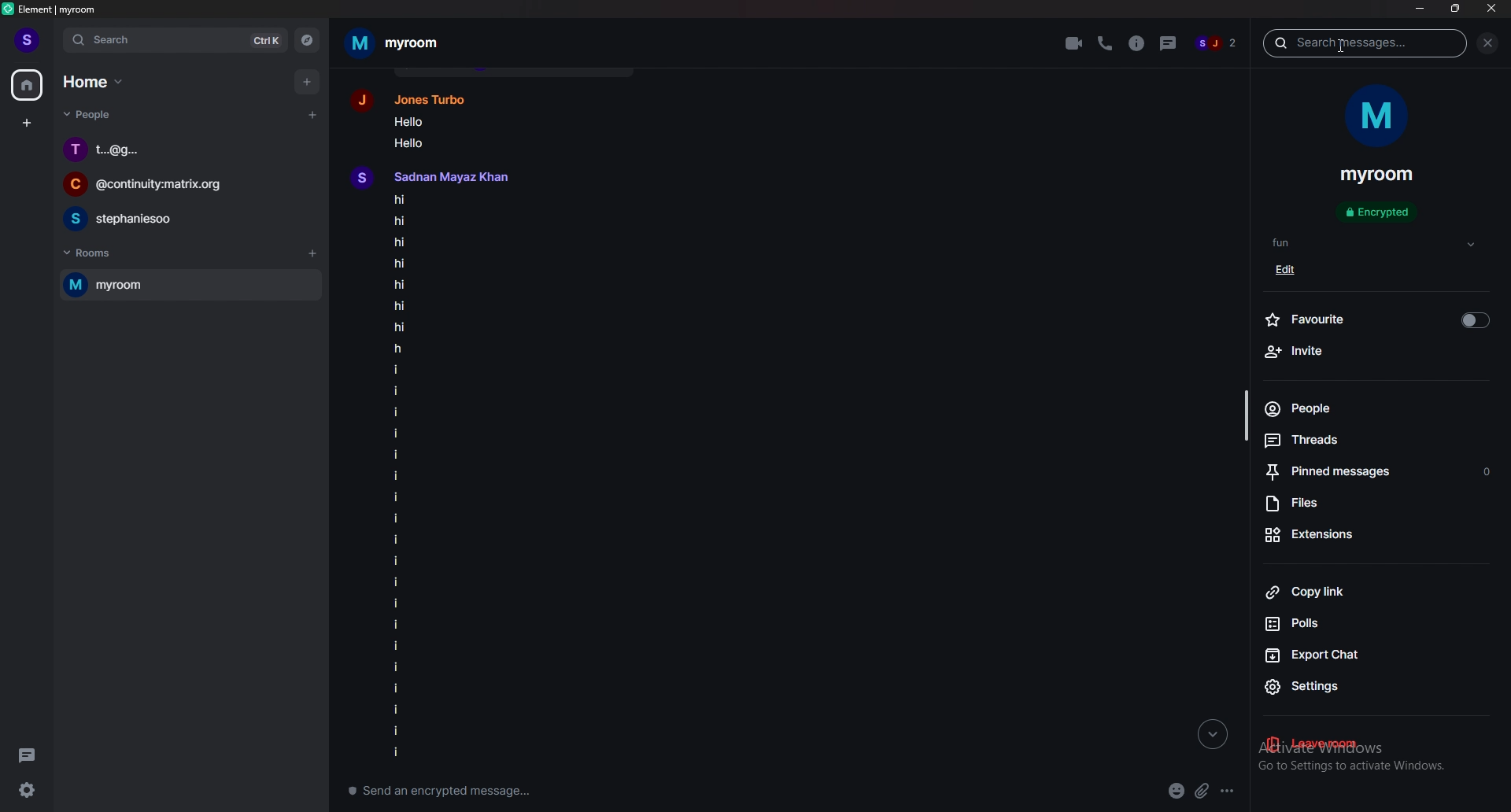 The image size is (1511, 812). Describe the element at coordinates (1246, 415) in the screenshot. I see `scroll bar` at that location.